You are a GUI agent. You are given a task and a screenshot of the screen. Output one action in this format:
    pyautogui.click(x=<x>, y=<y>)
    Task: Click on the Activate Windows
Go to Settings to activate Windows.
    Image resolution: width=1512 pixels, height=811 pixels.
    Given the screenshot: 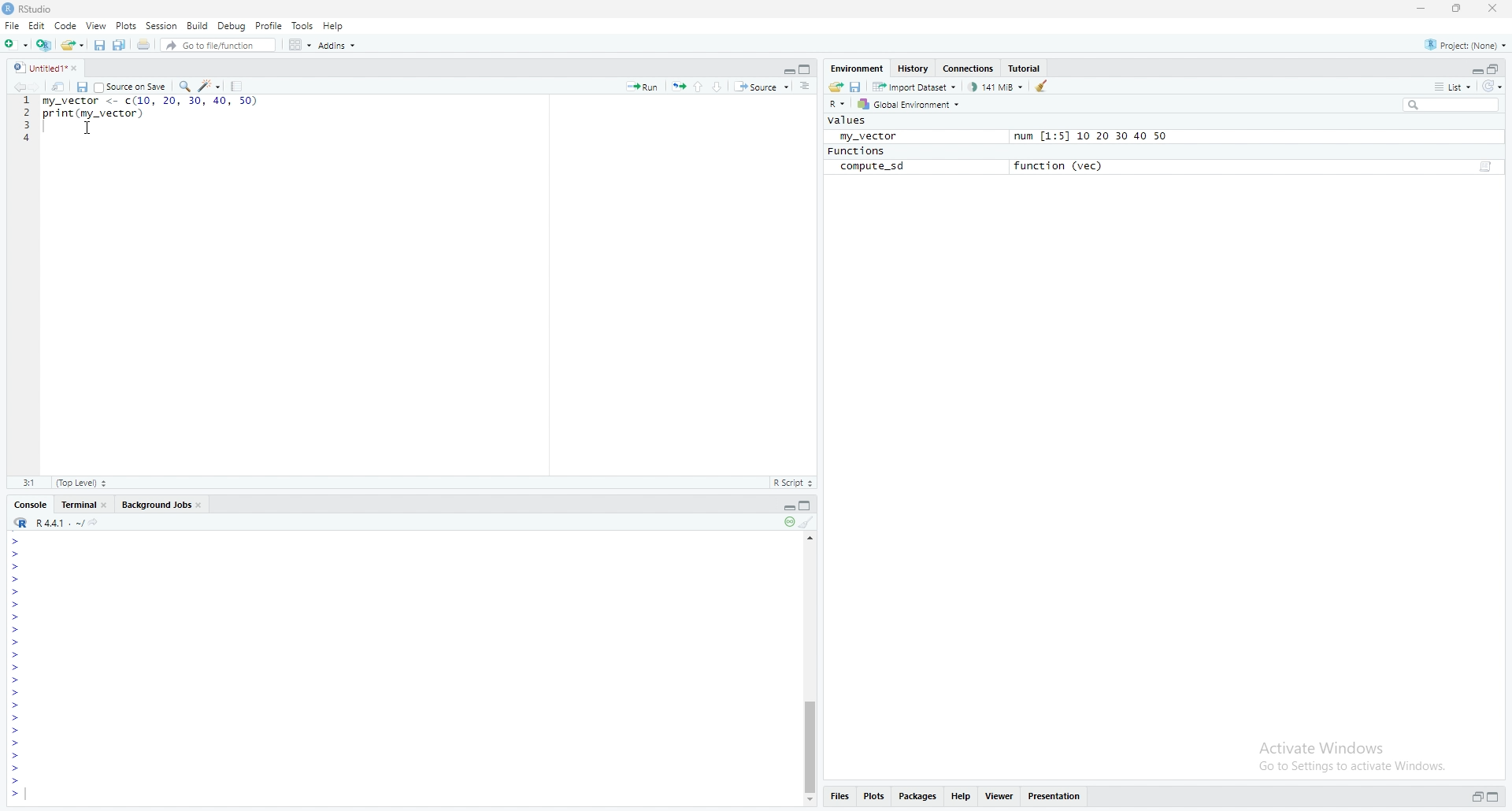 What is the action you would take?
    pyautogui.click(x=1354, y=754)
    